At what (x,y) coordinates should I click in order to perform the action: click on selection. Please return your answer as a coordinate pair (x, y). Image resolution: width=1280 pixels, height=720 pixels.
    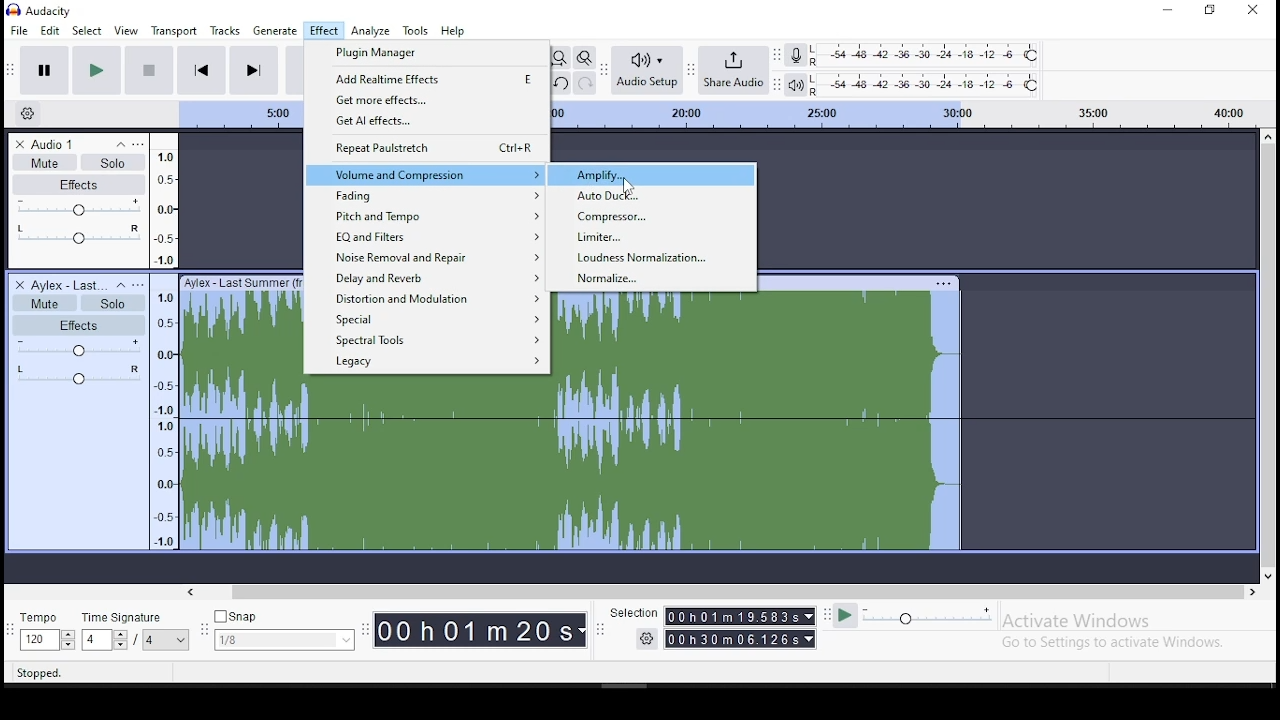
    Looking at the image, I should click on (633, 614).